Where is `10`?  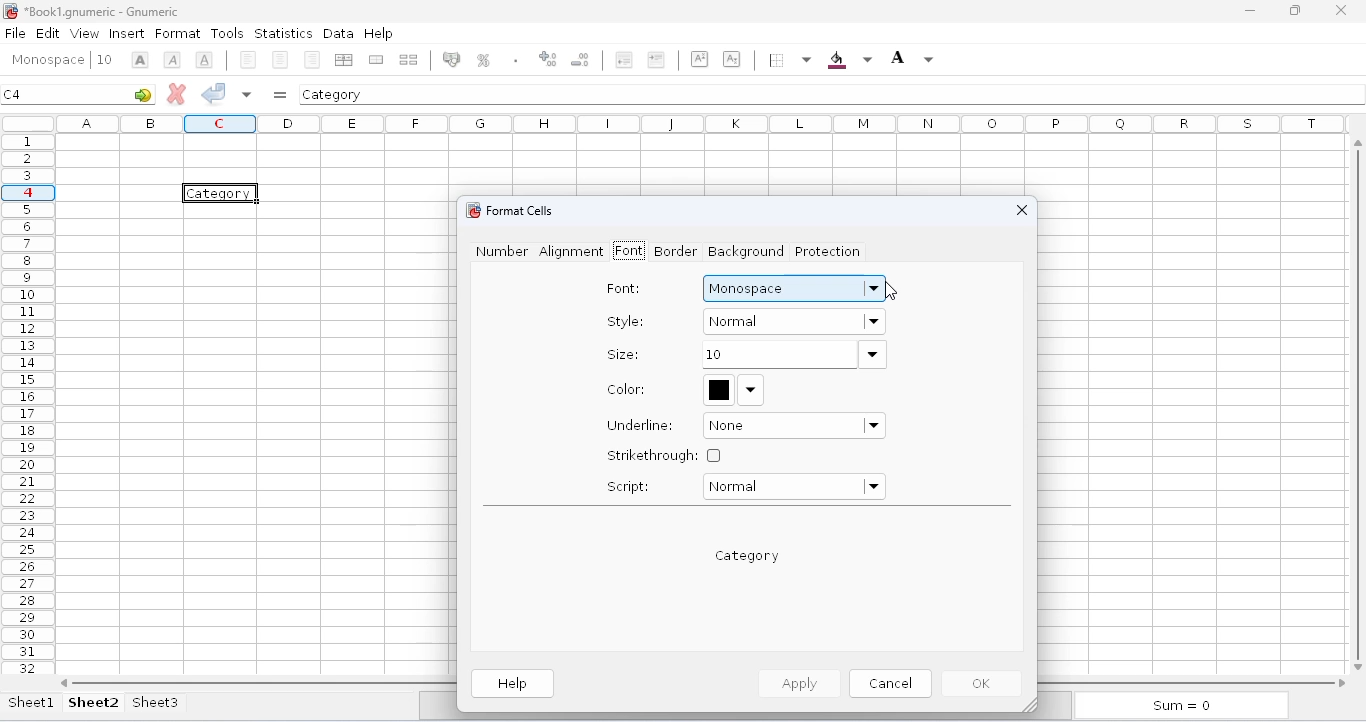
10 is located at coordinates (793, 355).